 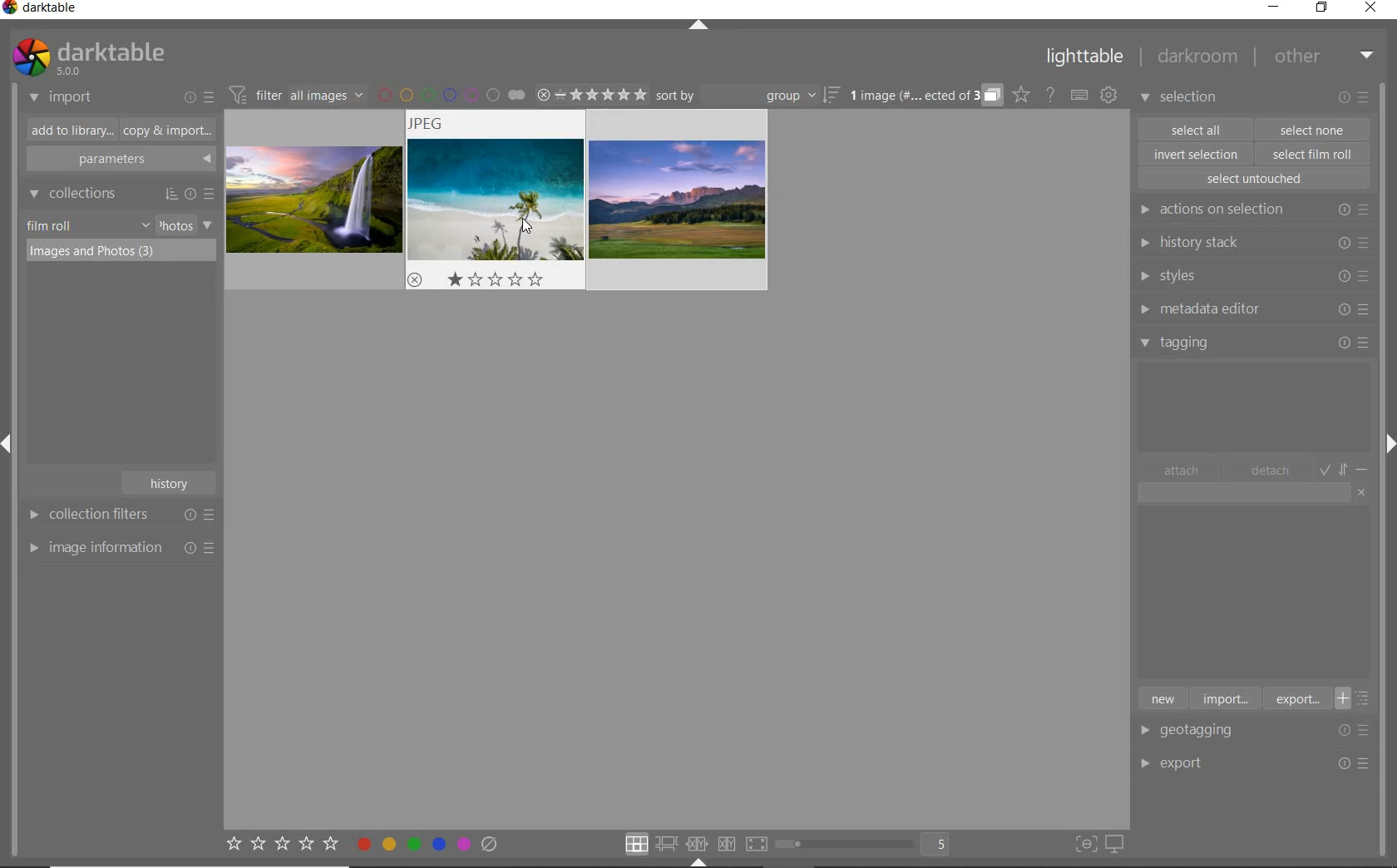 I want to click on select all, so click(x=1196, y=128).